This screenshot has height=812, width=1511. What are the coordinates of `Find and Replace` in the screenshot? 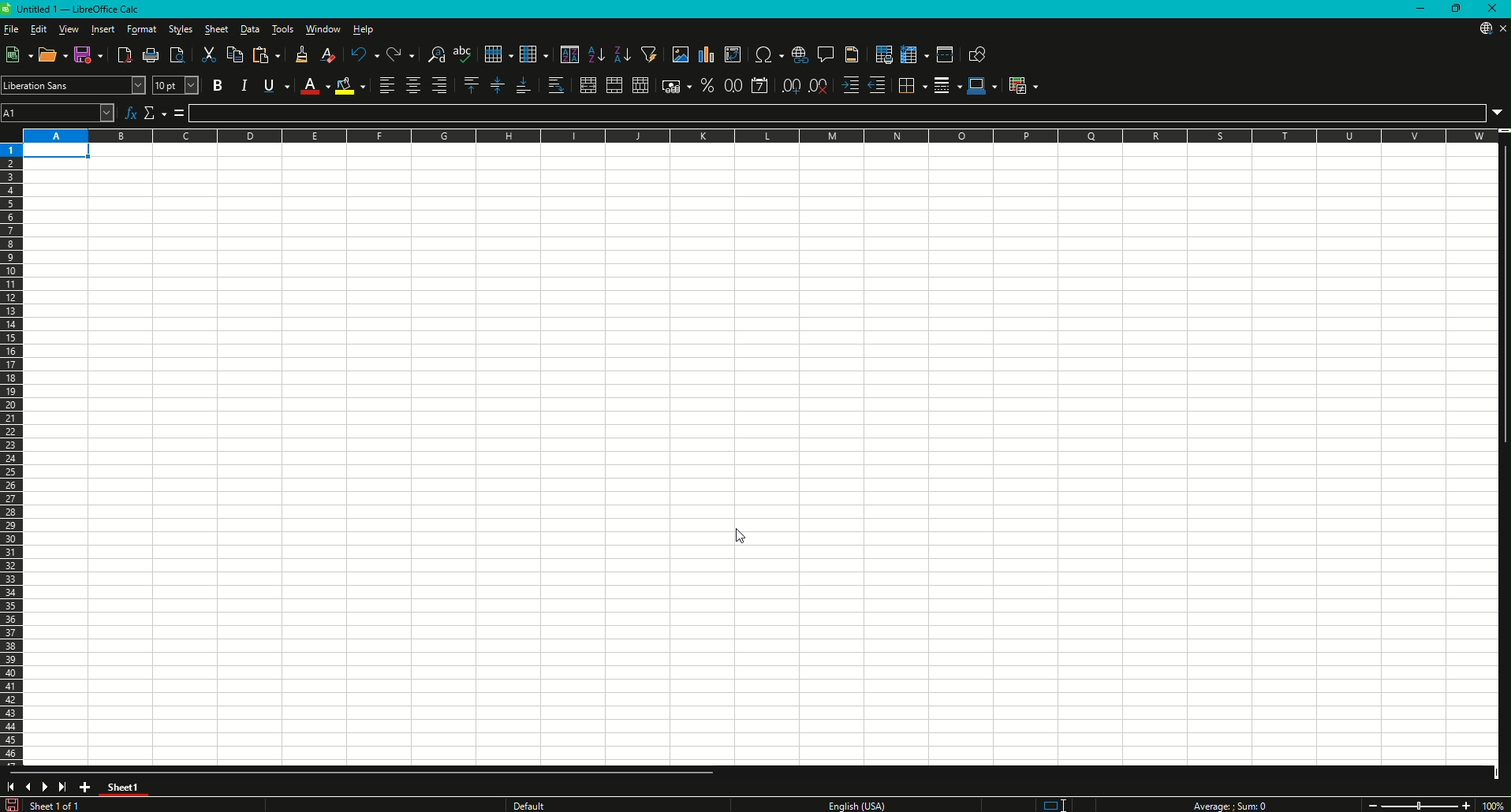 It's located at (435, 54).